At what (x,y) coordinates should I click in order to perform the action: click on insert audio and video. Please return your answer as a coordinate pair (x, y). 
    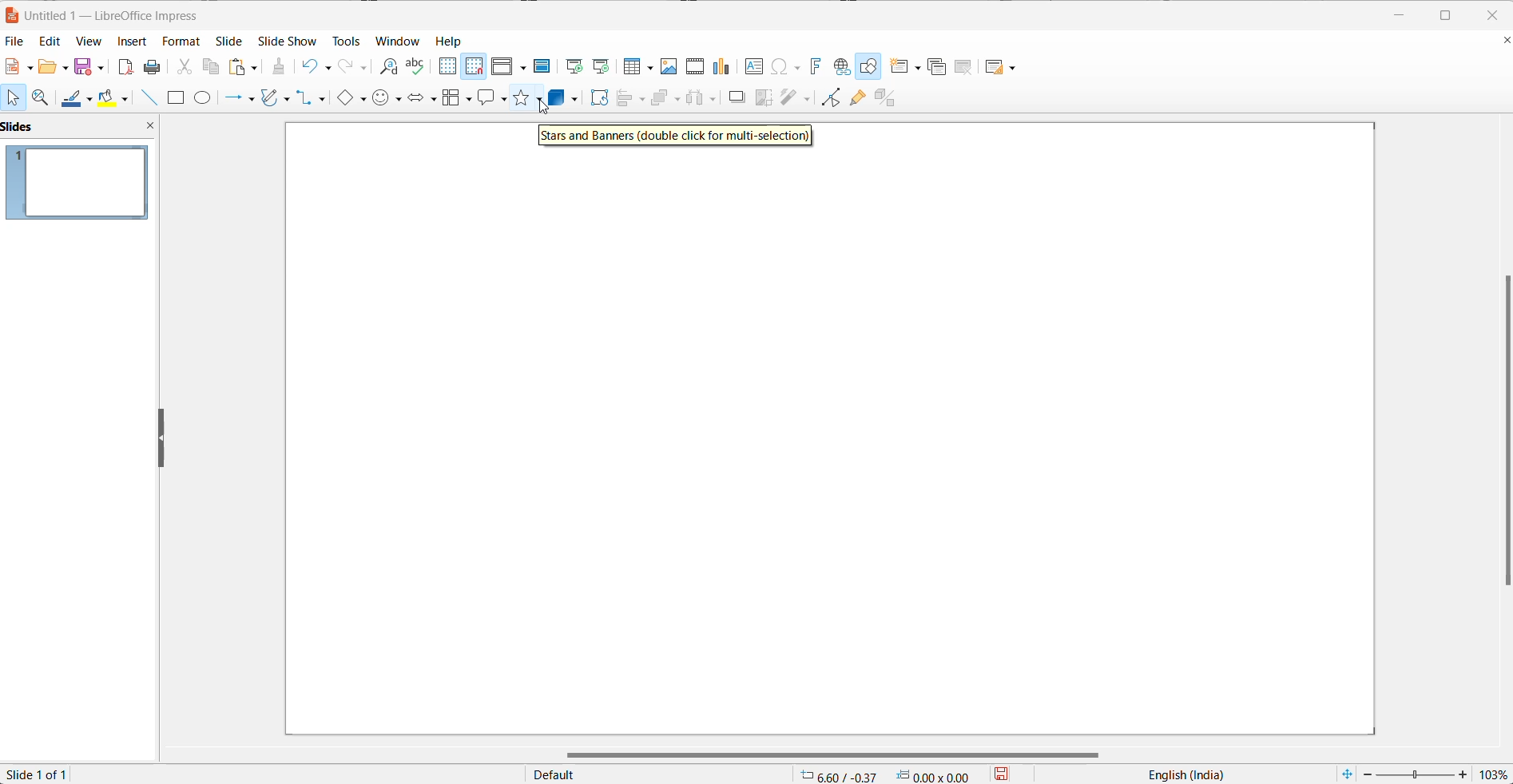
    Looking at the image, I should click on (693, 66).